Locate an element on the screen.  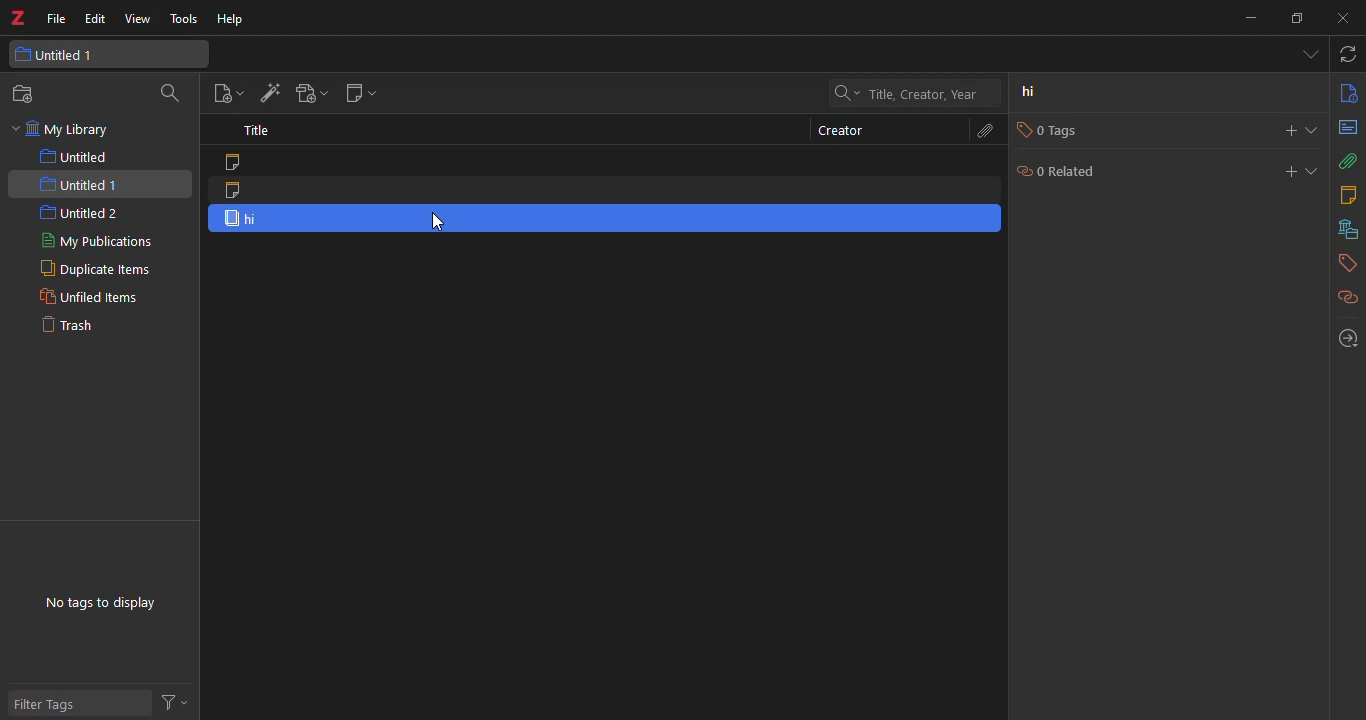
search is located at coordinates (904, 93).